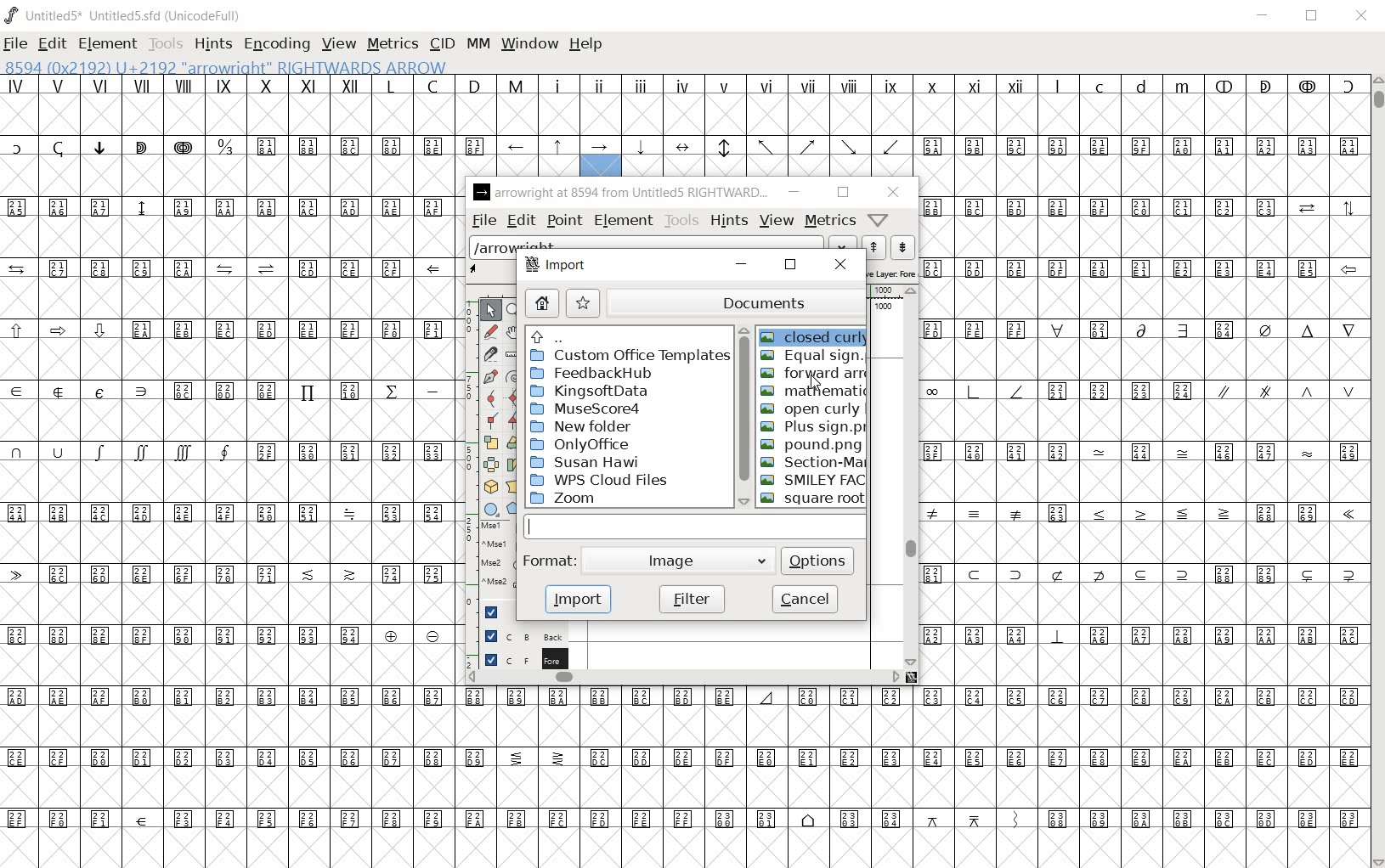 The image size is (1385, 868). Describe the element at coordinates (661, 245) in the screenshot. I see `load word list` at that location.